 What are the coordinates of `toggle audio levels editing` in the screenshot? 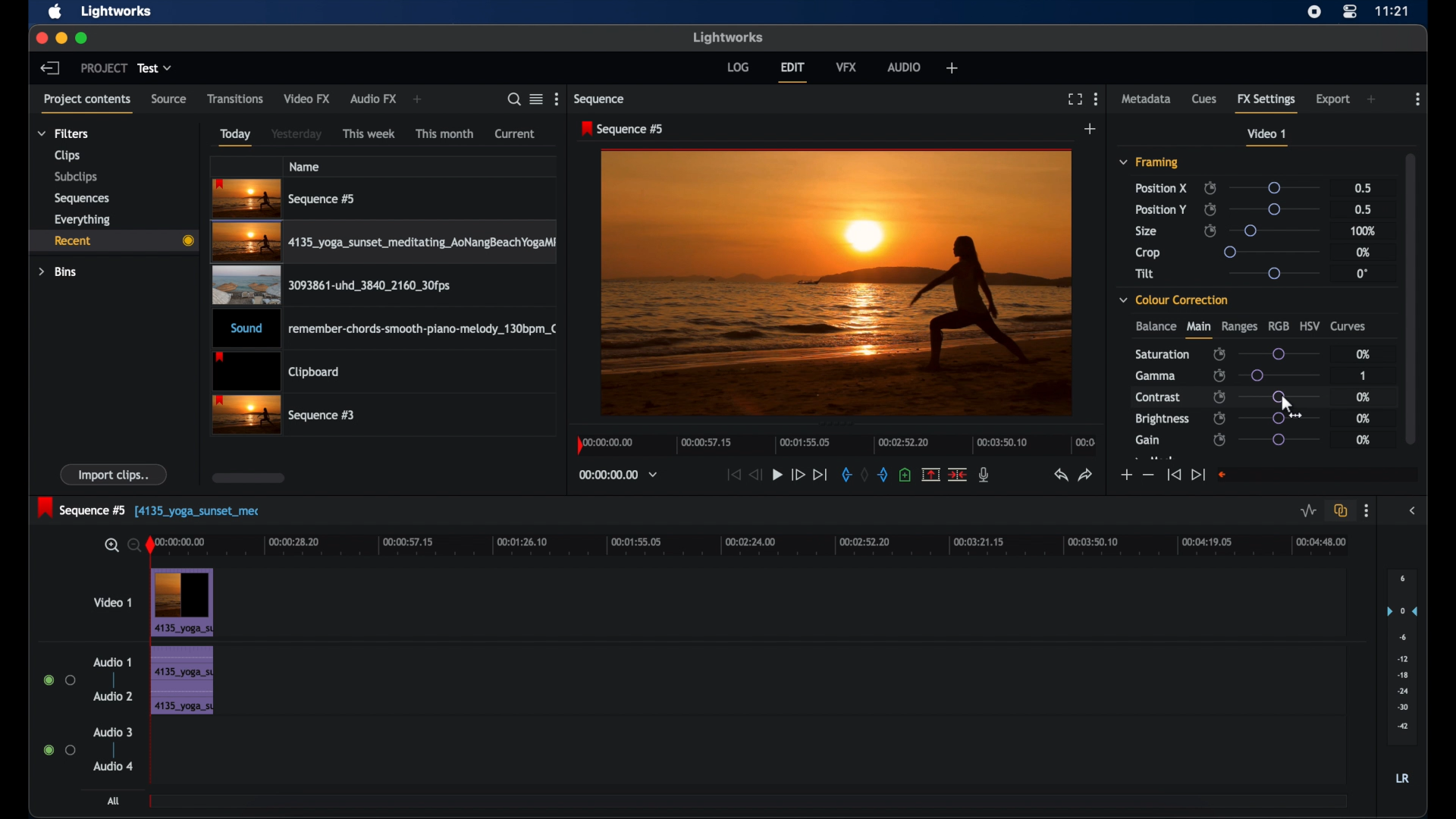 It's located at (1309, 511).